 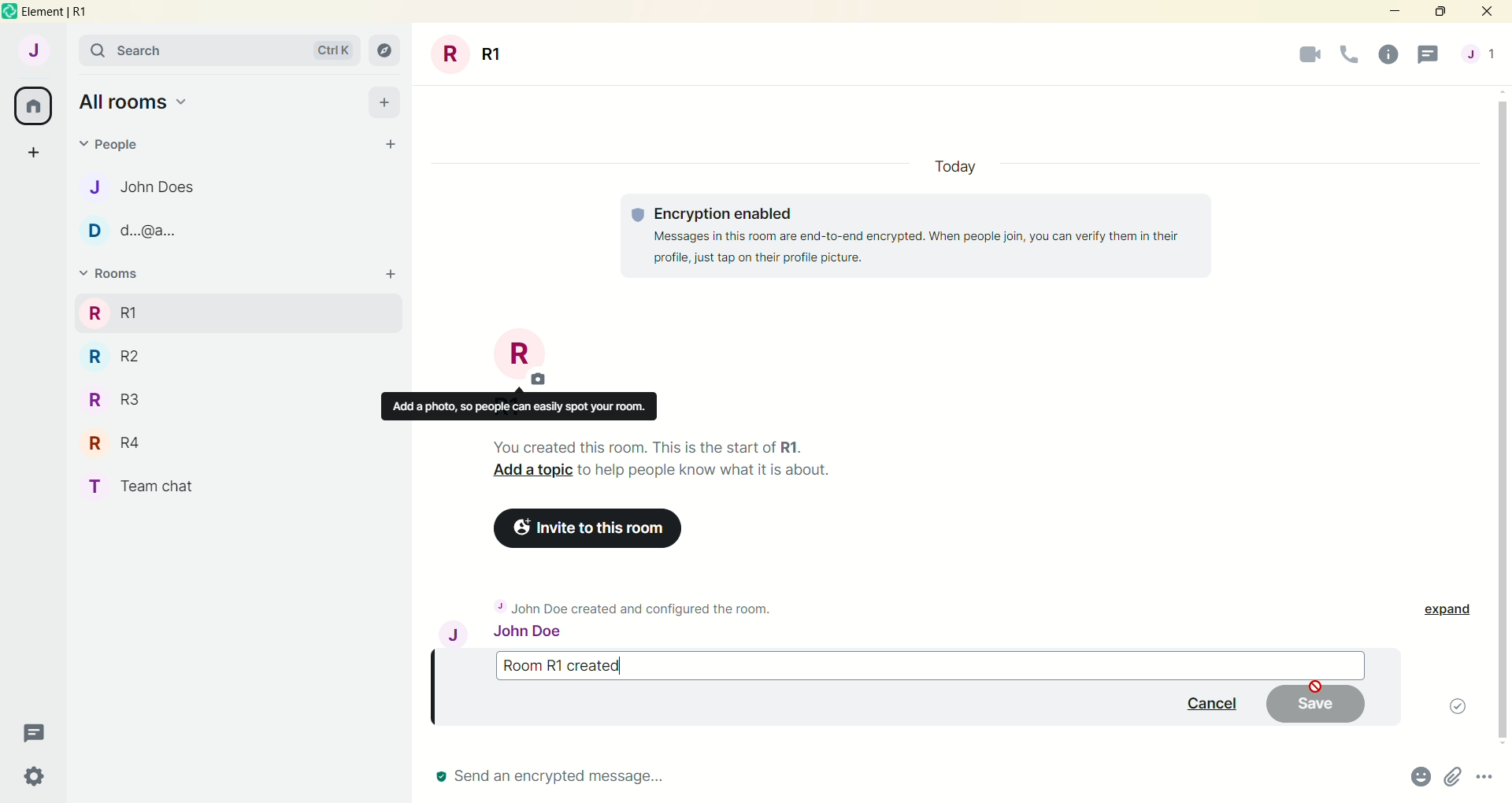 What do you see at coordinates (138, 354) in the screenshot?
I see `R R2` at bounding box center [138, 354].